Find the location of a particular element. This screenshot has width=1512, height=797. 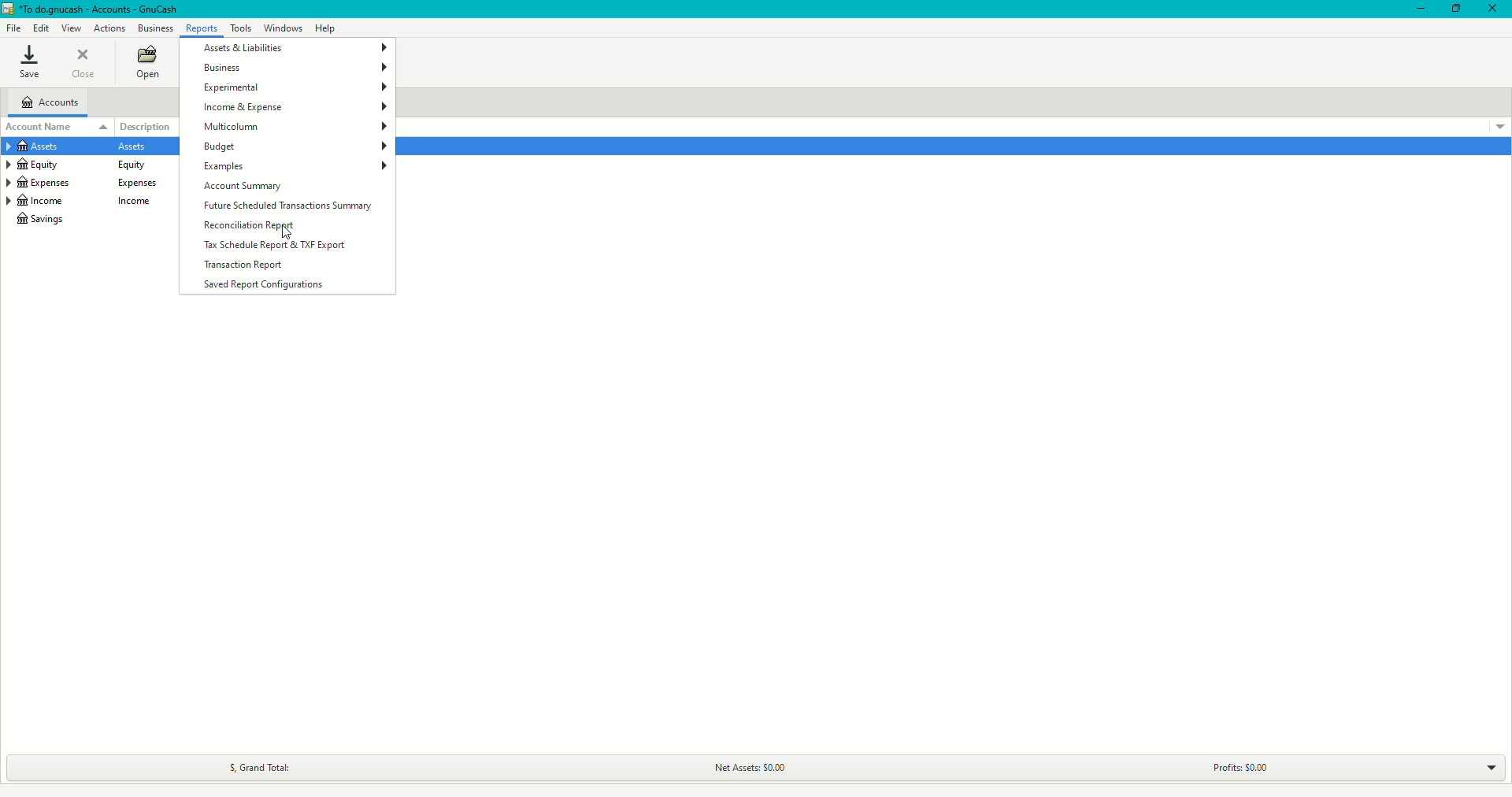

Actions is located at coordinates (109, 26).